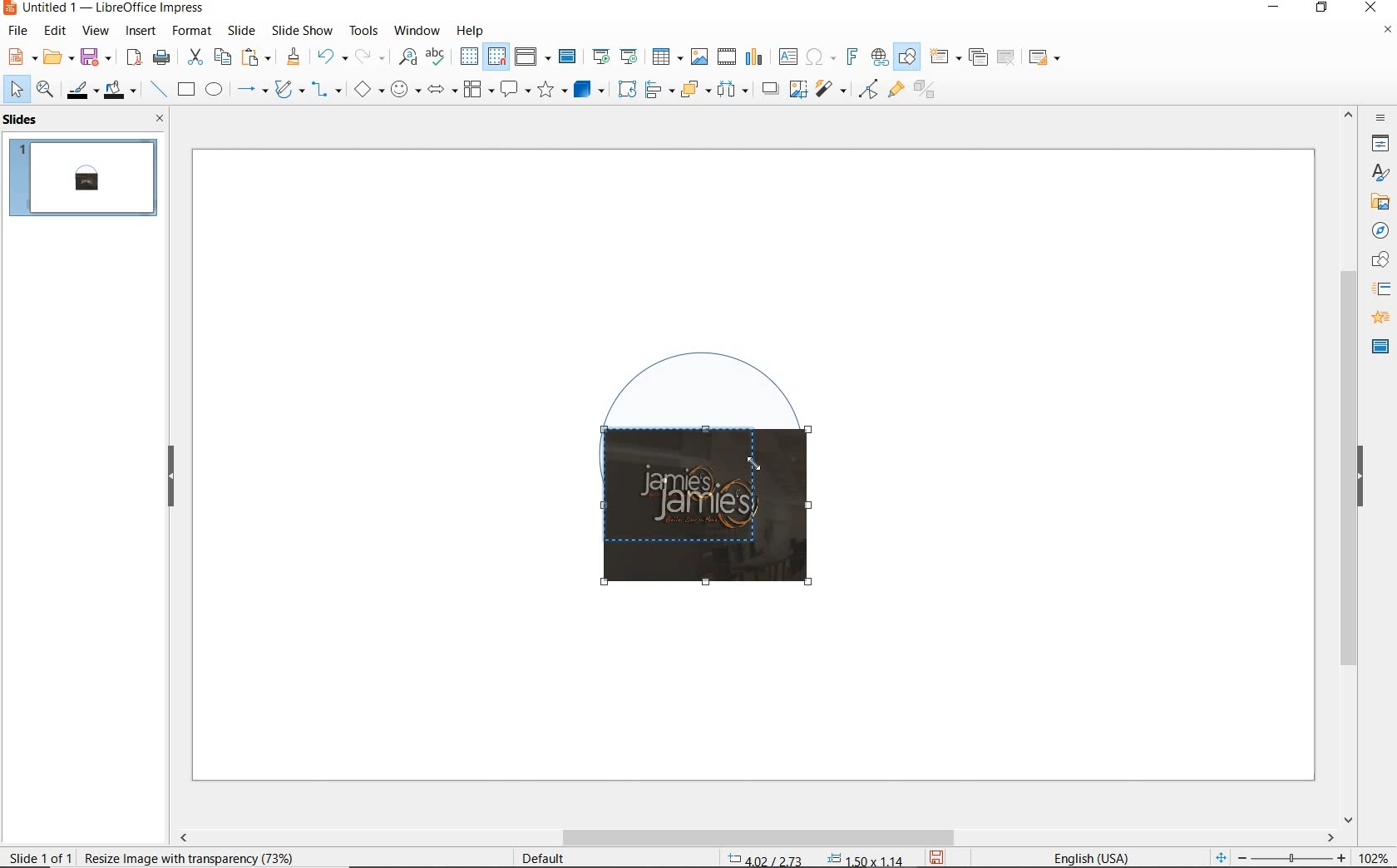 This screenshot has width=1397, height=868. What do you see at coordinates (692, 88) in the screenshot?
I see `arrange` at bounding box center [692, 88].